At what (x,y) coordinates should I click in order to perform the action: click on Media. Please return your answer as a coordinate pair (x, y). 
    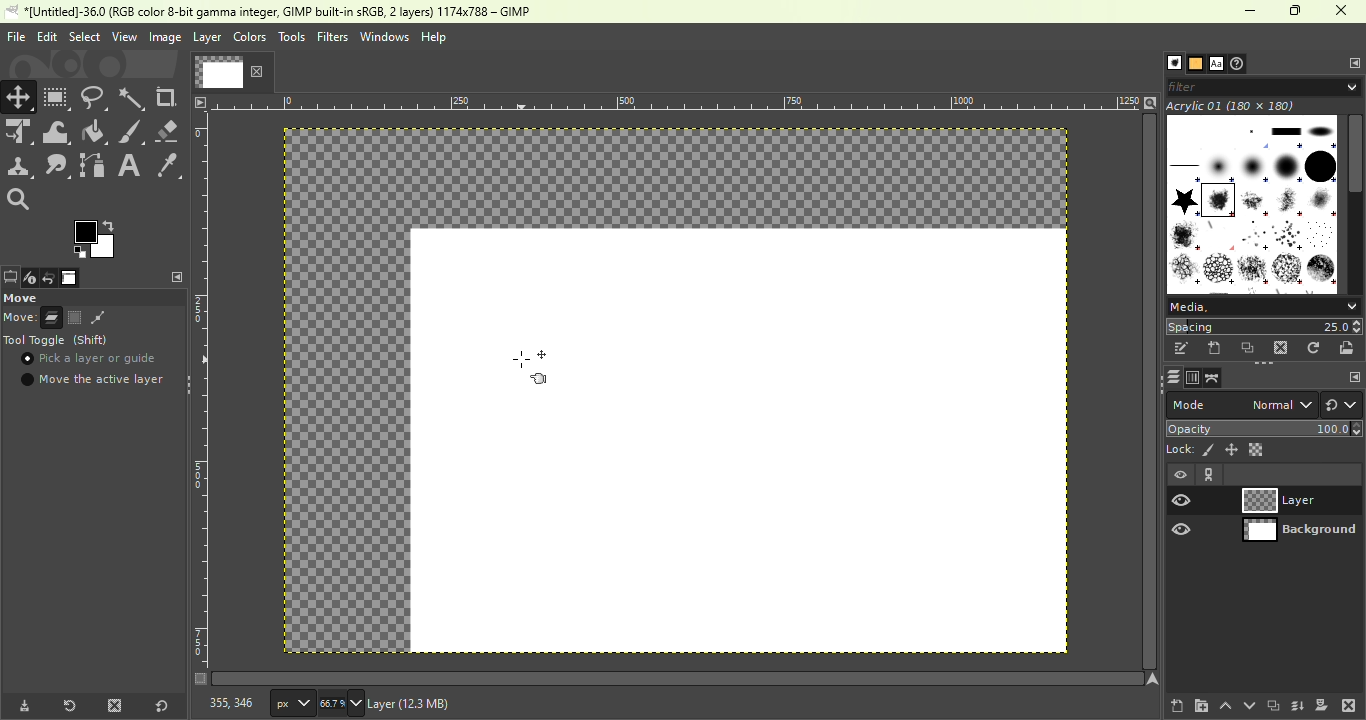
    Looking at the image, I should click on (1262, 305).